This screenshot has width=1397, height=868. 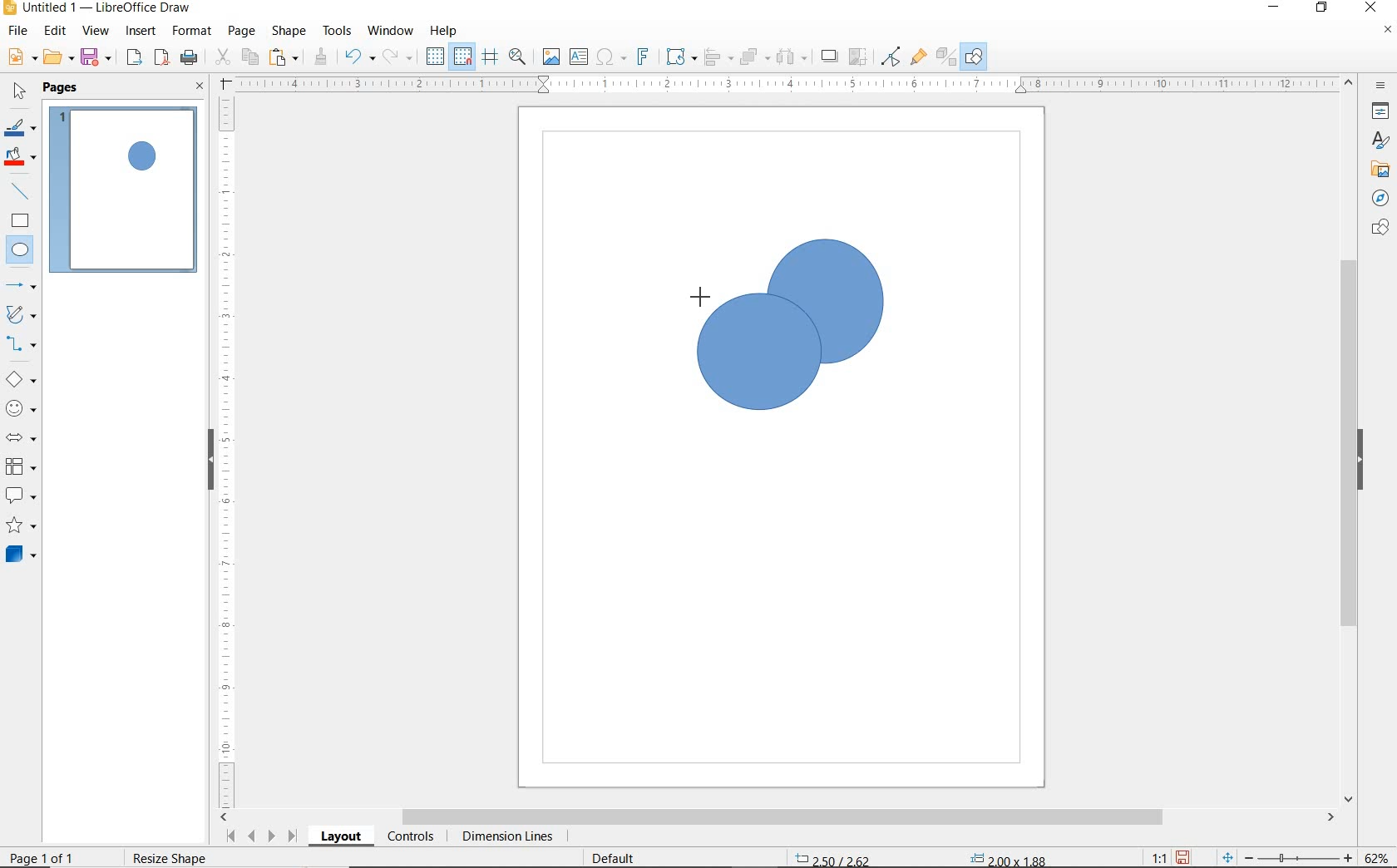 I want to click on RULER, so click(x=788, y=85).